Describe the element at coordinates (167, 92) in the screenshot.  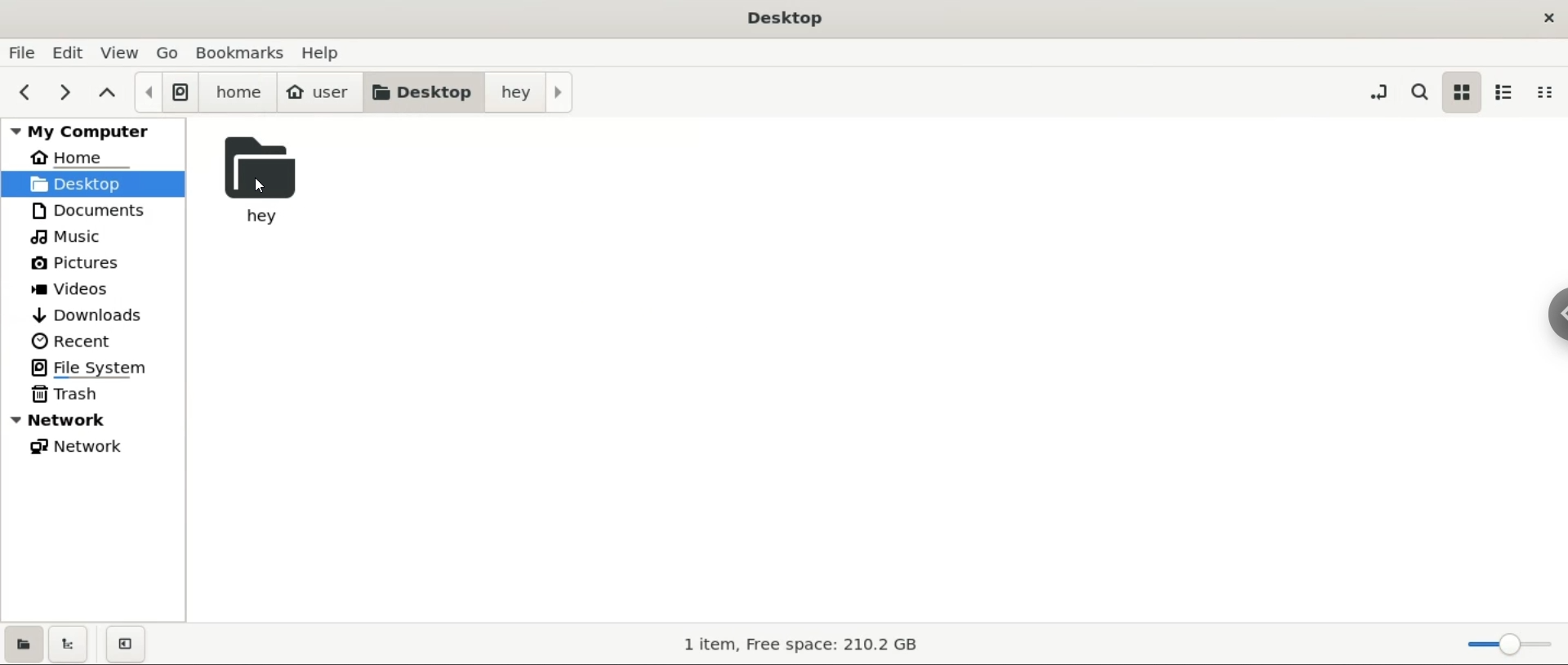
I see `file system` at that location.